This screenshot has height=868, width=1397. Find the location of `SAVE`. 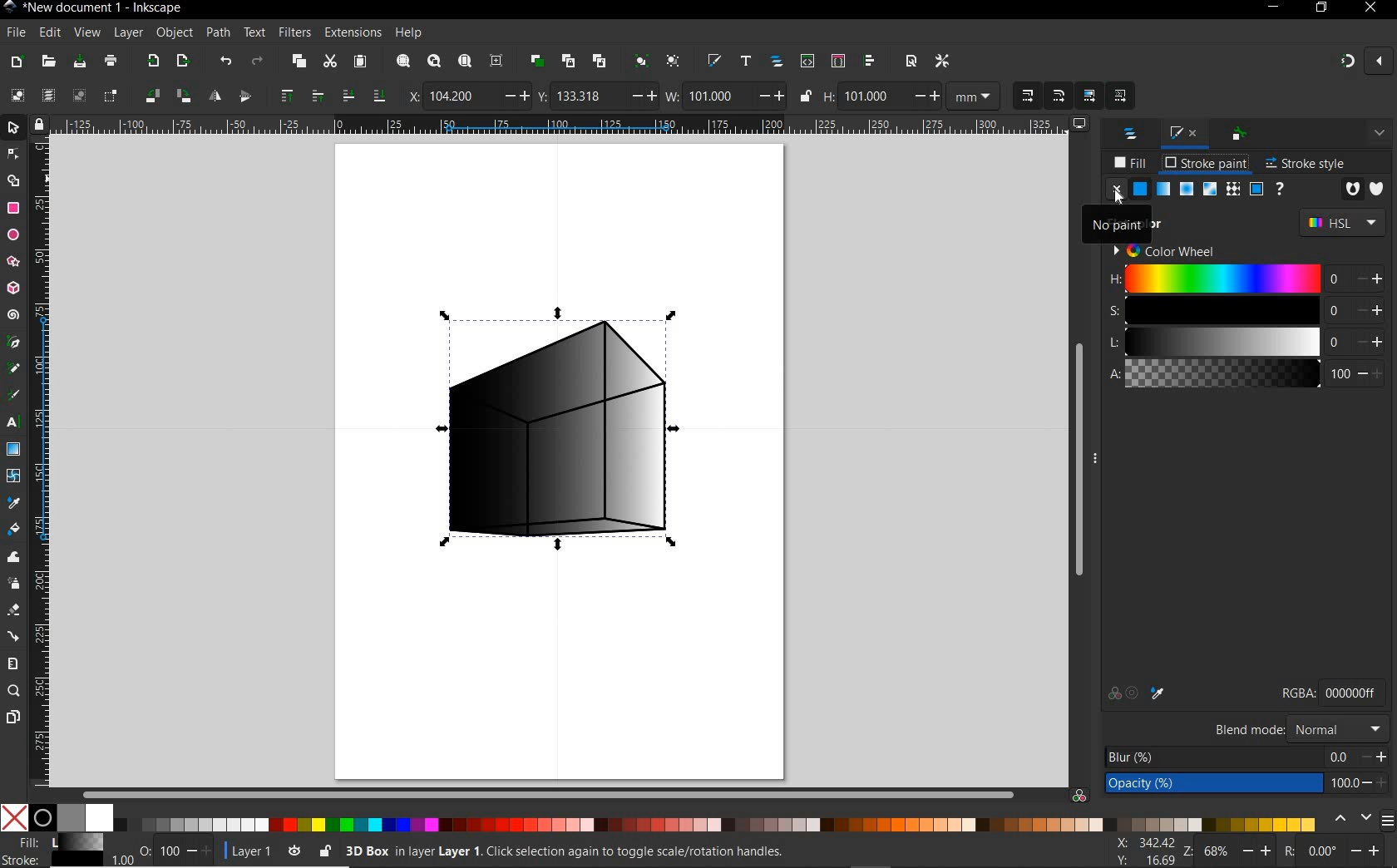

SAVE is located at coordinates (79, 63).